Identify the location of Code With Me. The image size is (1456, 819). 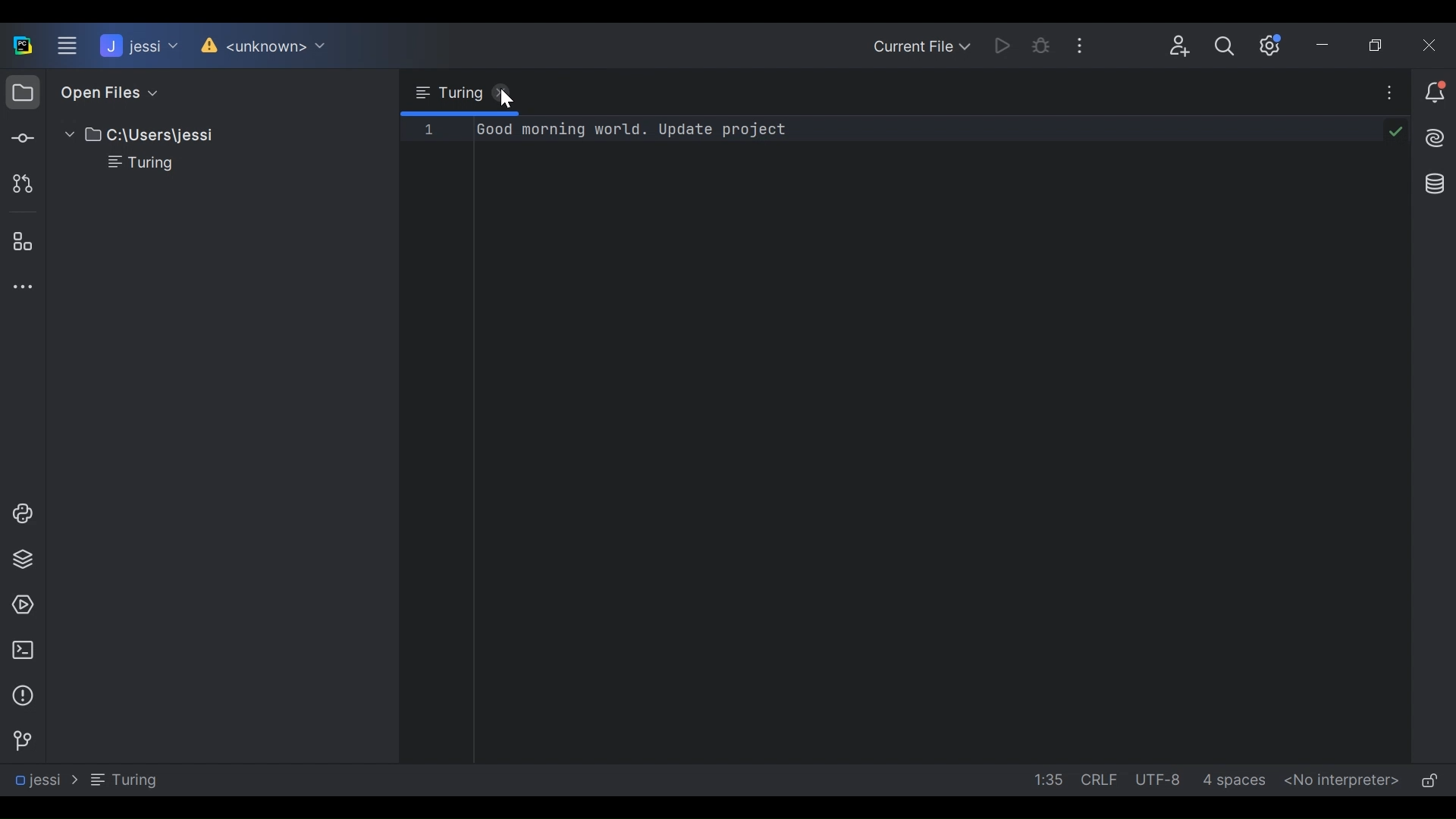
(1181, 46).